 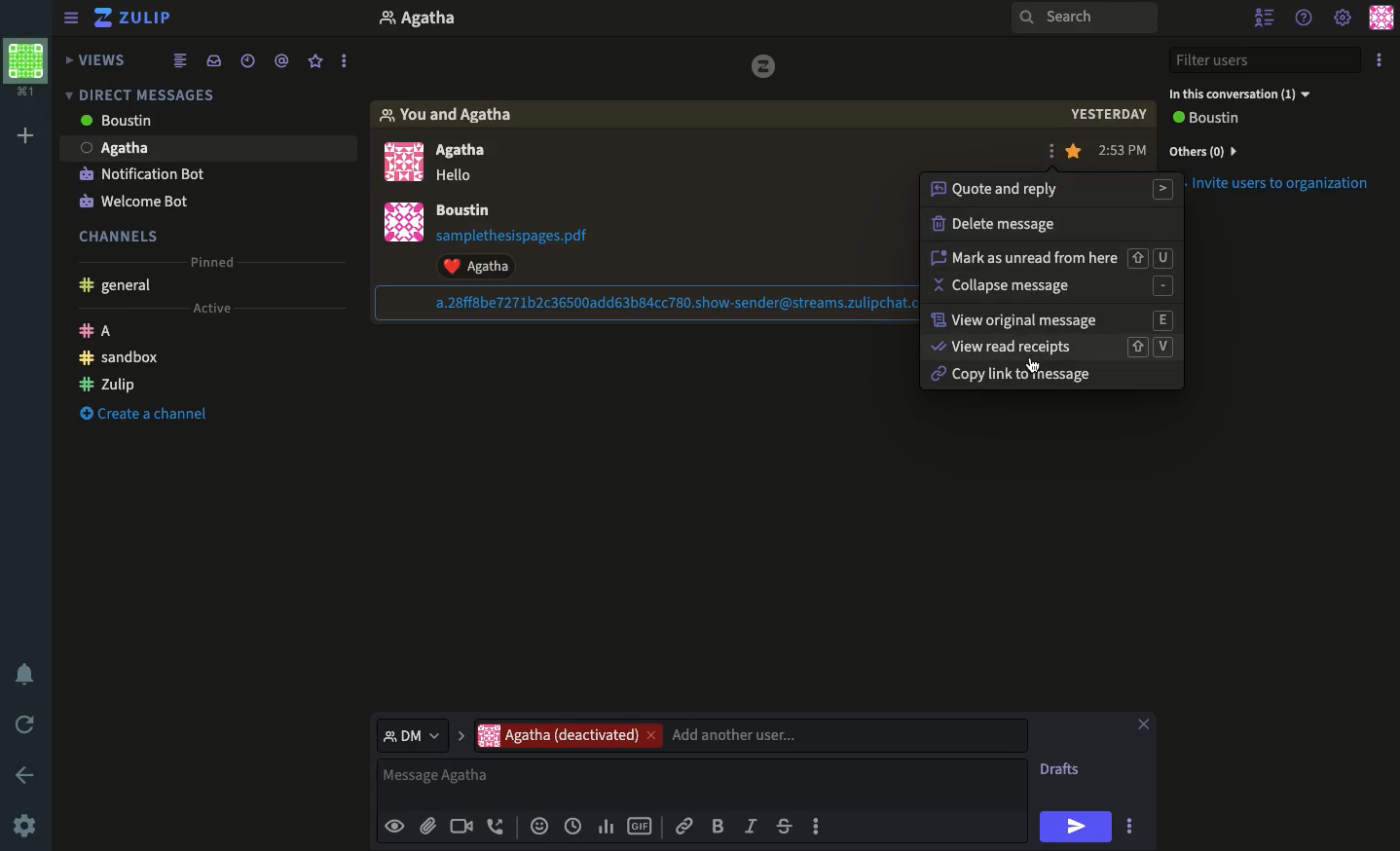 What do you see at coordinates (750, 735) in the screenshot?
I see `Users` at bounding box center [750, 735].